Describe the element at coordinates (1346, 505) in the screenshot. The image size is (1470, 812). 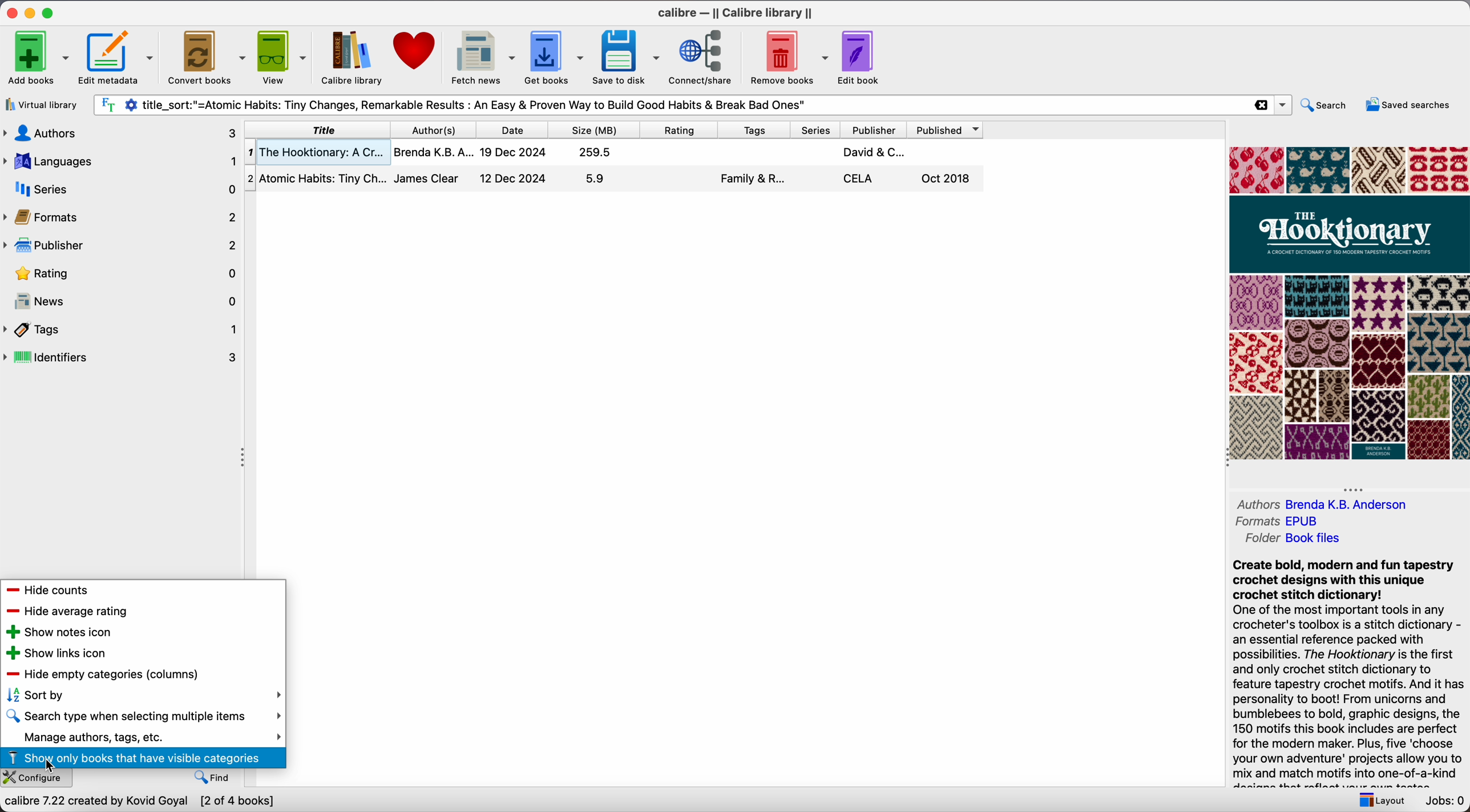
I see `Brenda K.B. Anderson` at that location.